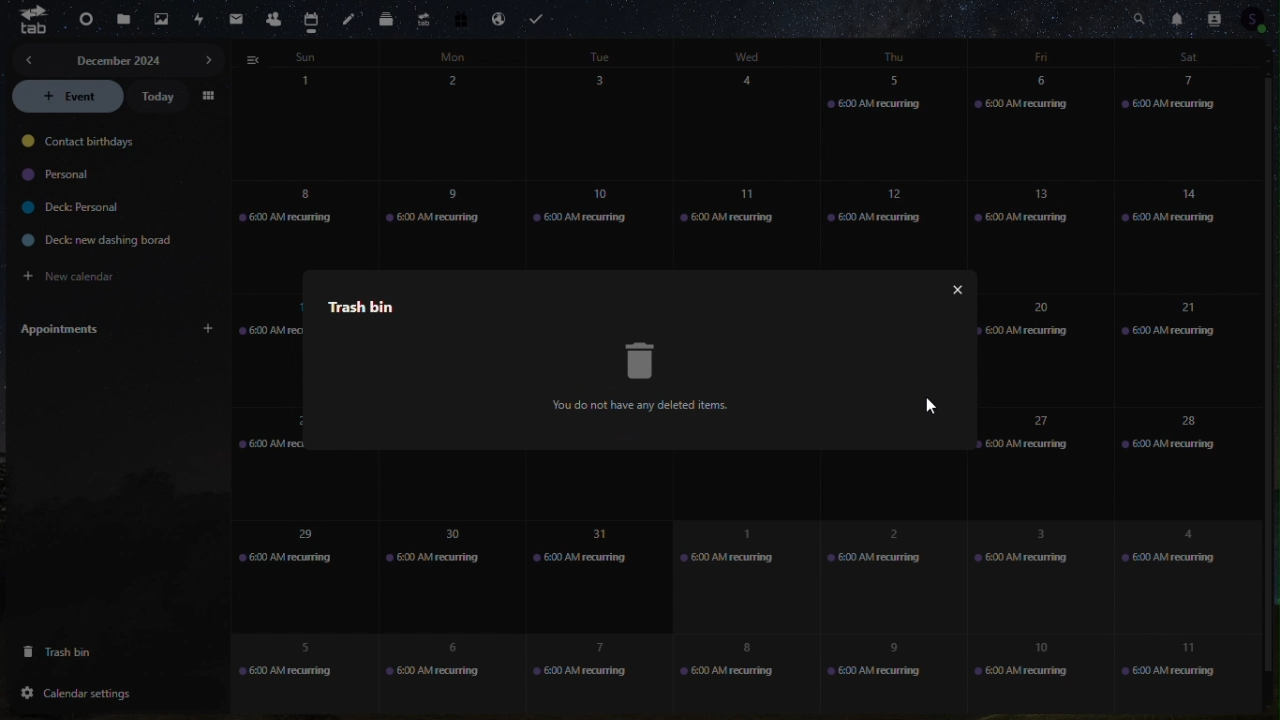 This screenshot has height=720, width=1280. What do you see at coordinates (79, 20) in the screenshot?
I see `dashboard` at bounding box center [79, 20].